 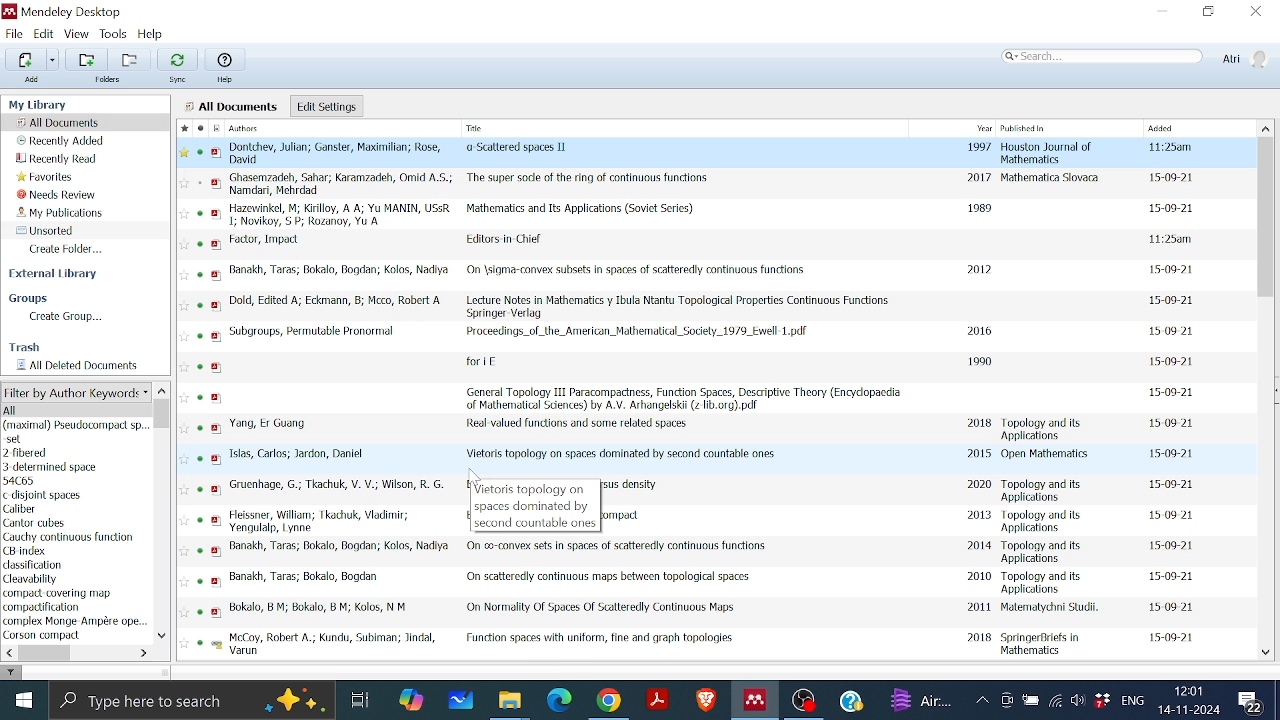 I want to click on Author, so click(x=338, y=154).